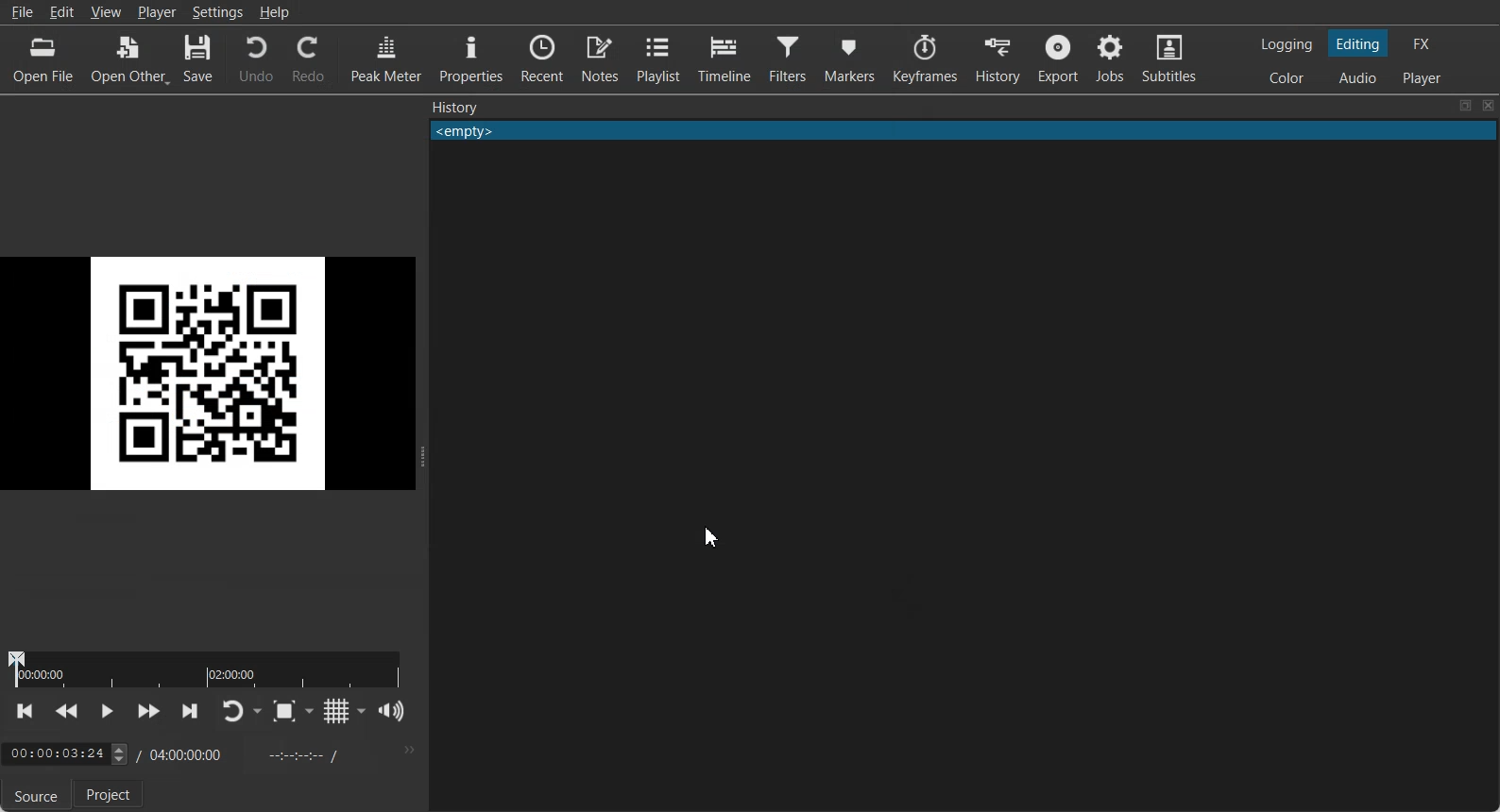 The image size is (1500, 812). Describe the element at coordinates (723, 56) in the screenshot. I see `Timeline` at that location.